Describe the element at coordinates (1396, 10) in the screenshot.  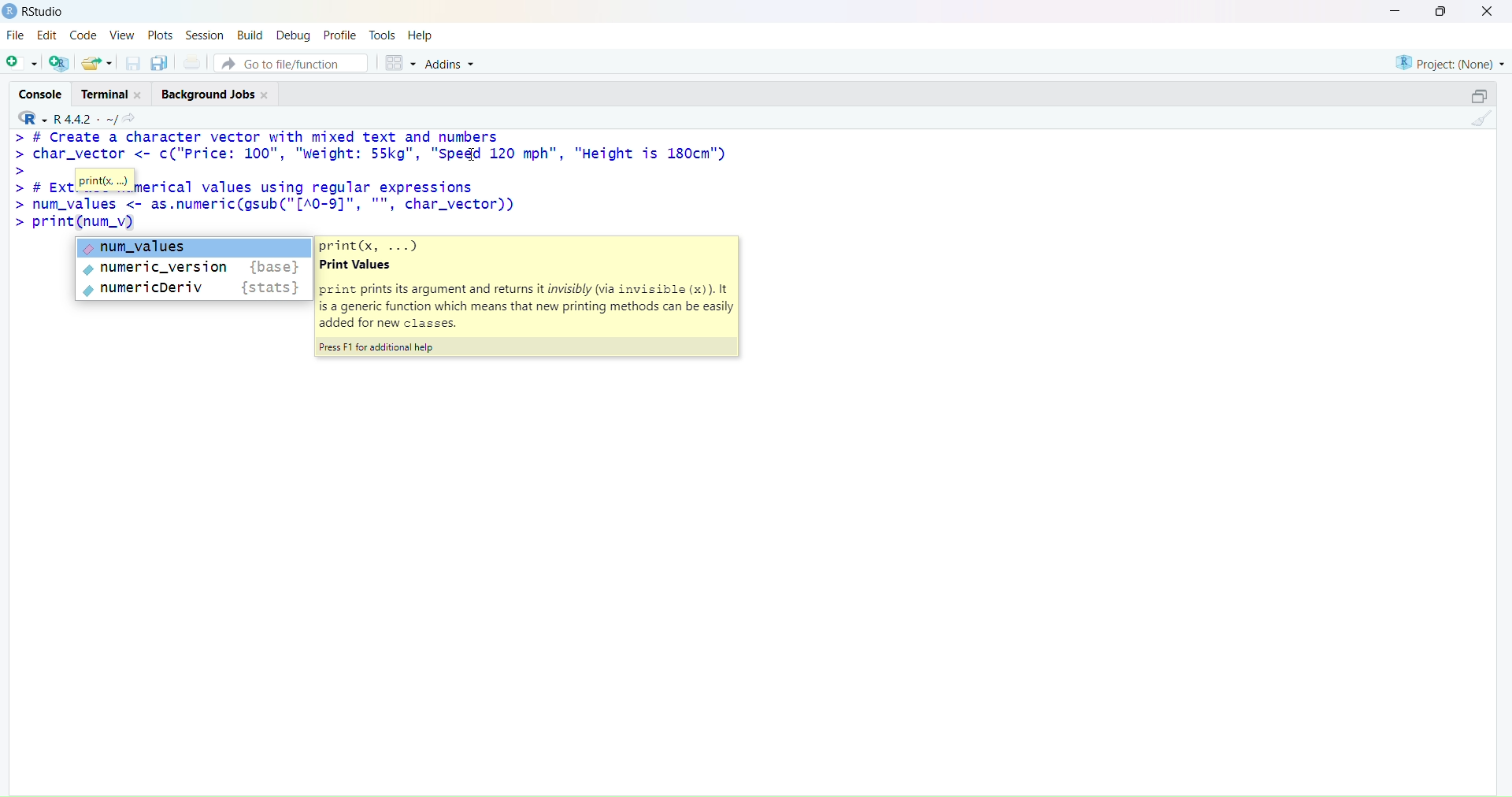
I see `minimise` at that location.